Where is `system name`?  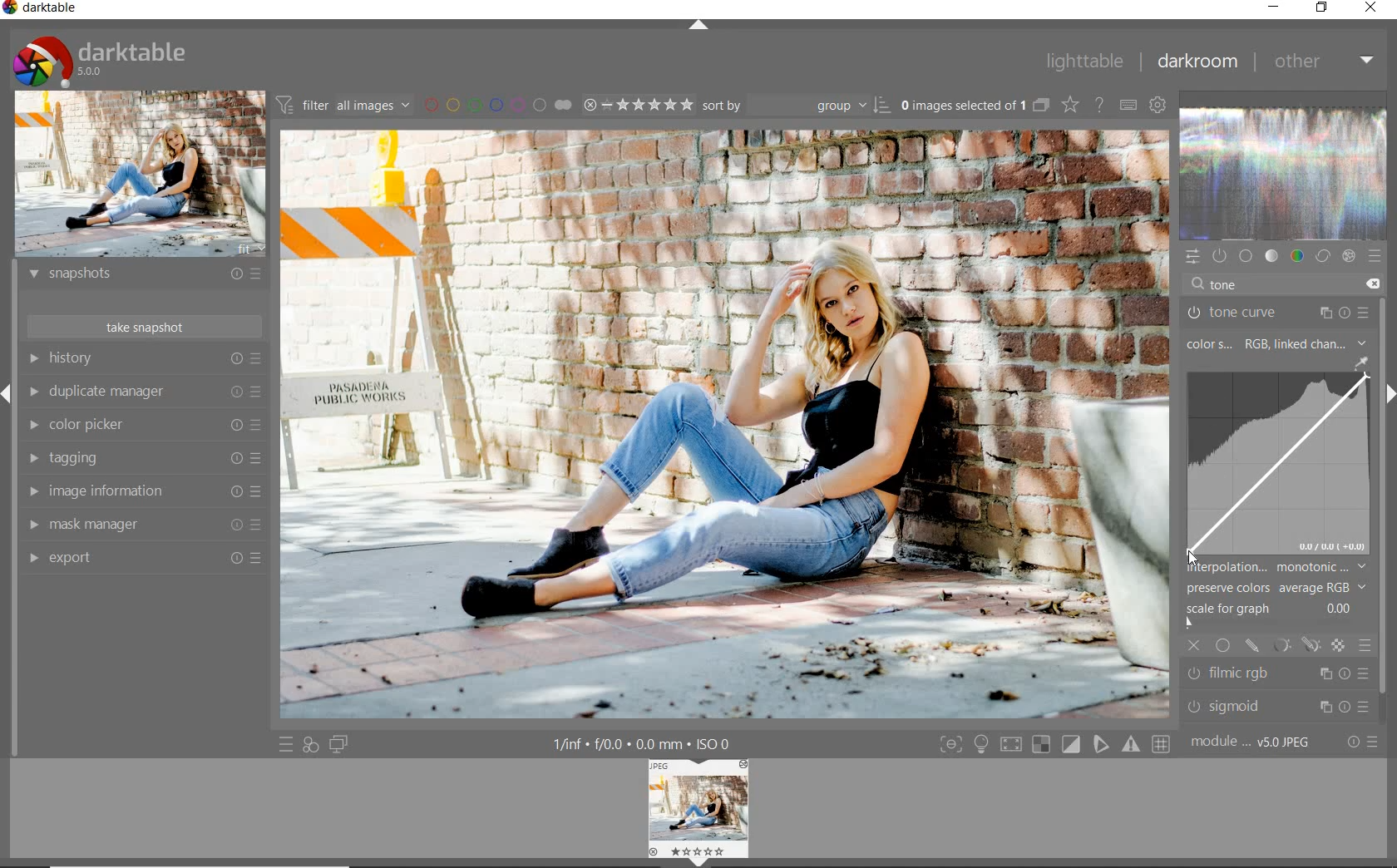 system name is located at coordinates (45, 10).